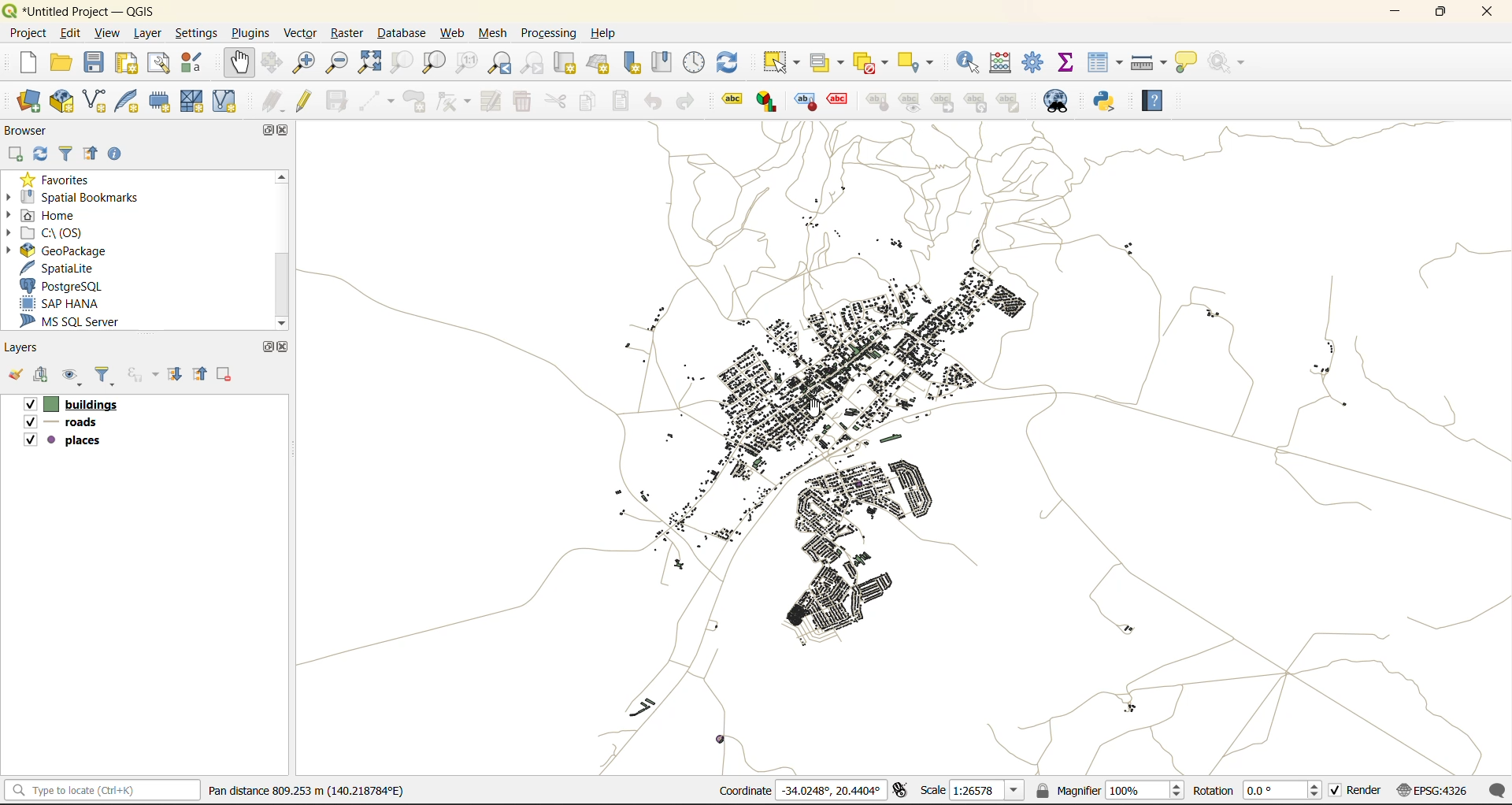  Describe the element at coordinates (433, 63) in the screenshot. I see `zoom layer` at that location.